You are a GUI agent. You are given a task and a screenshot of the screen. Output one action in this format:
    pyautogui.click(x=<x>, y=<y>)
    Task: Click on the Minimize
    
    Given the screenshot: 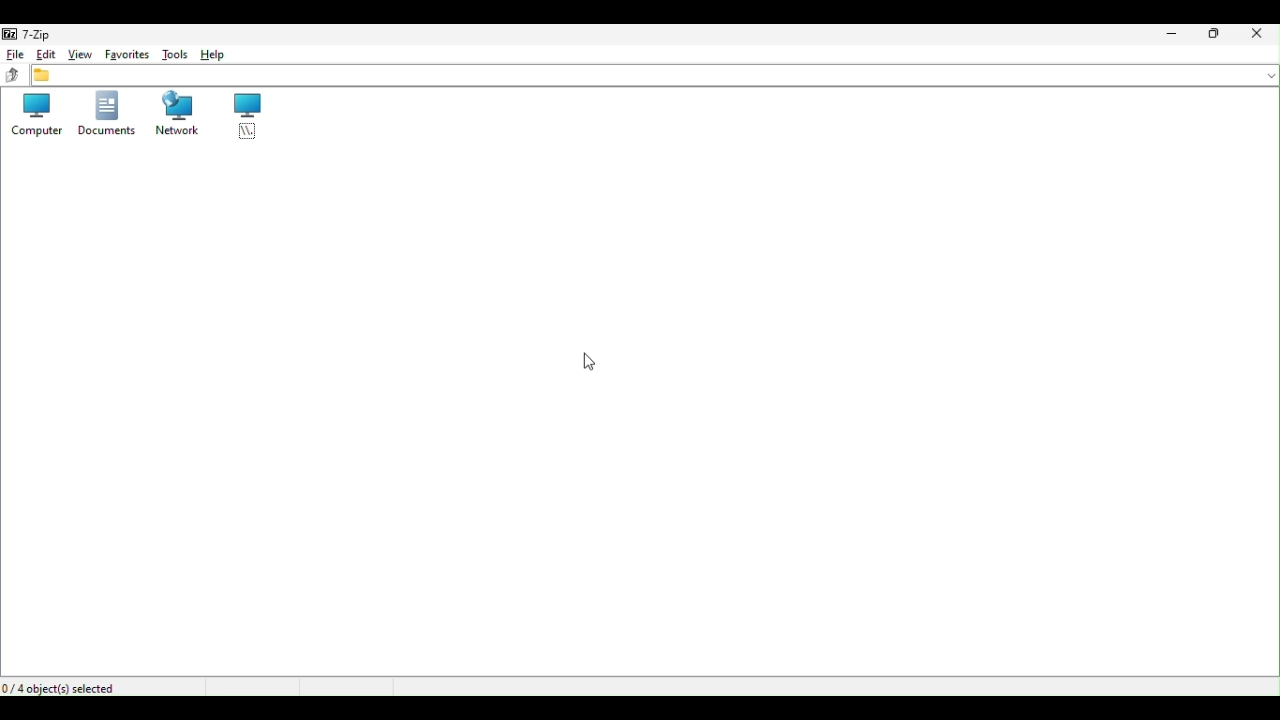 What is the action you would take?
    pyautogui.click(x=1169, y=35)
    